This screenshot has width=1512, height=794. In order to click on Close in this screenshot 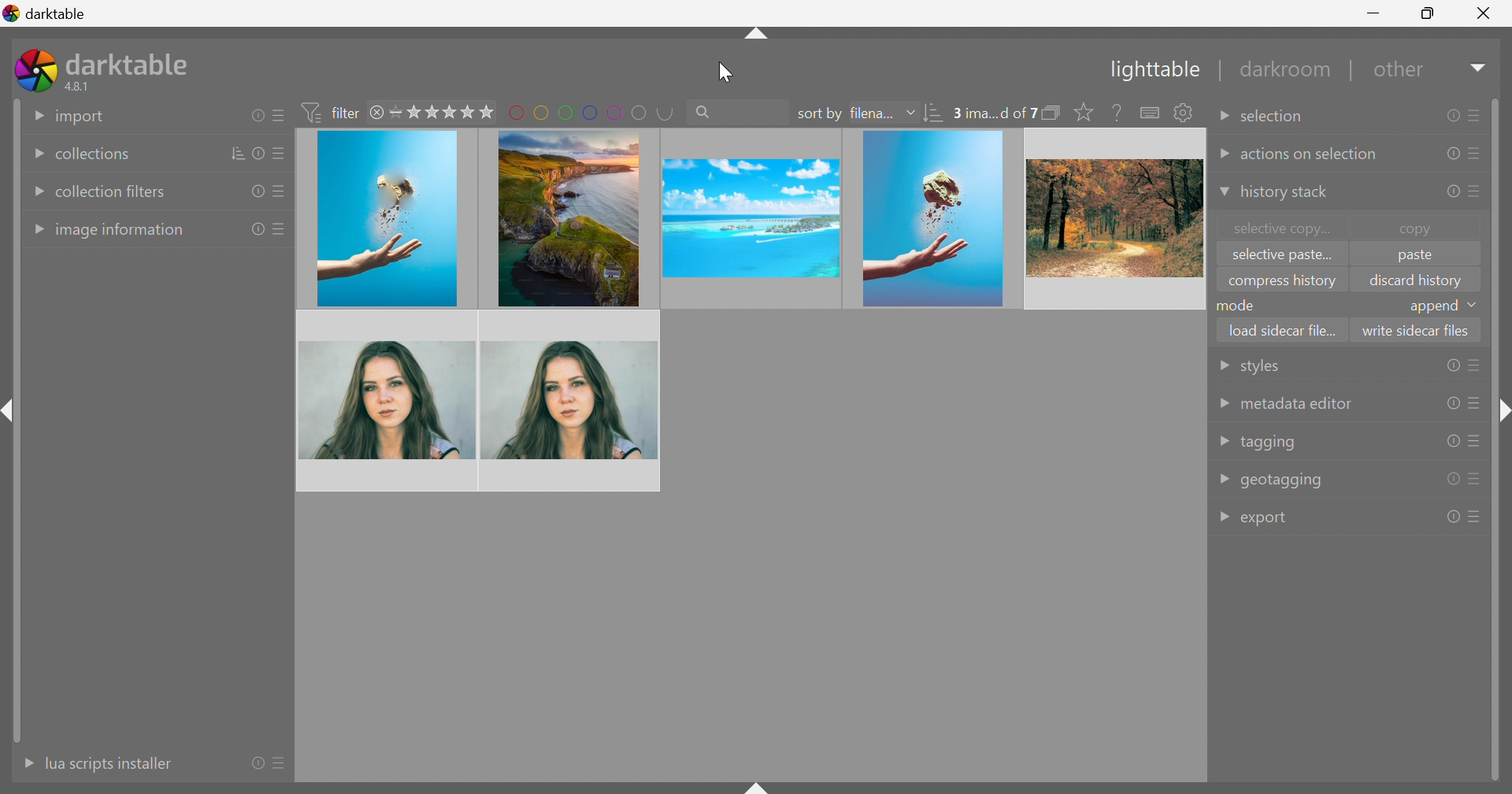, I will do `click(1484, 17)`.